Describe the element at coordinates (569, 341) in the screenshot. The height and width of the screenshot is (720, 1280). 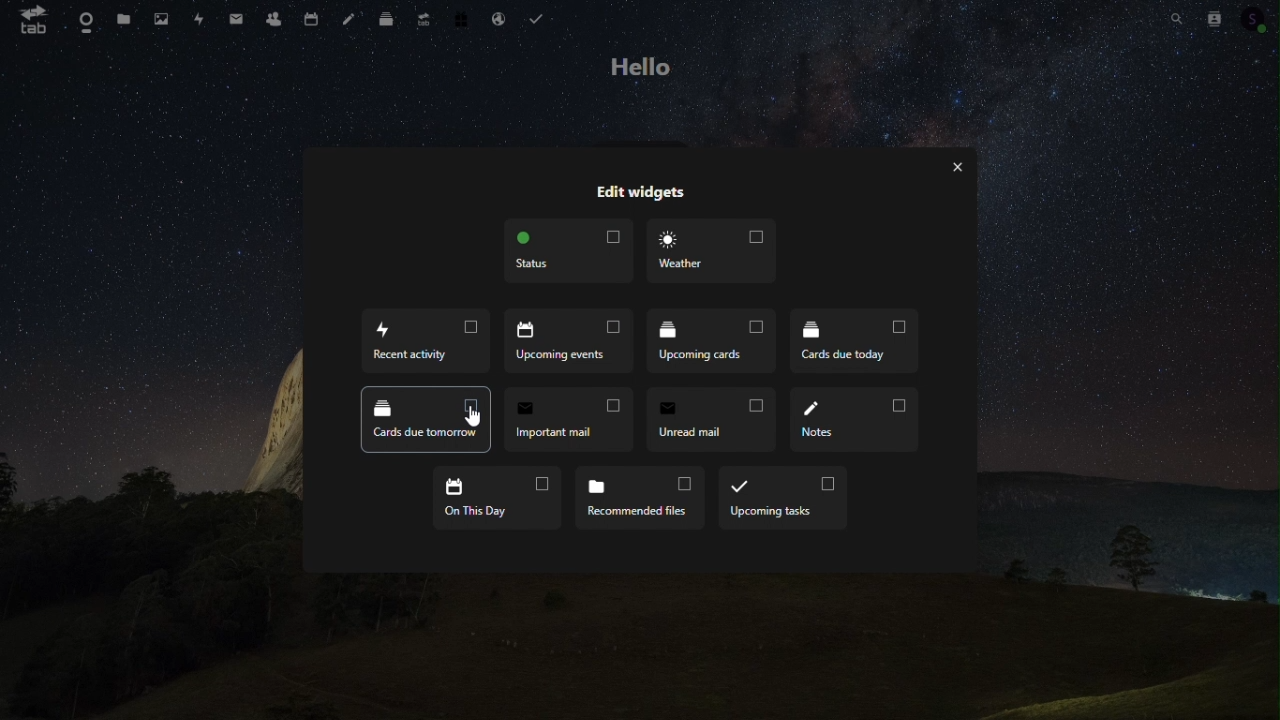
I see `Upcoming events` at that location.